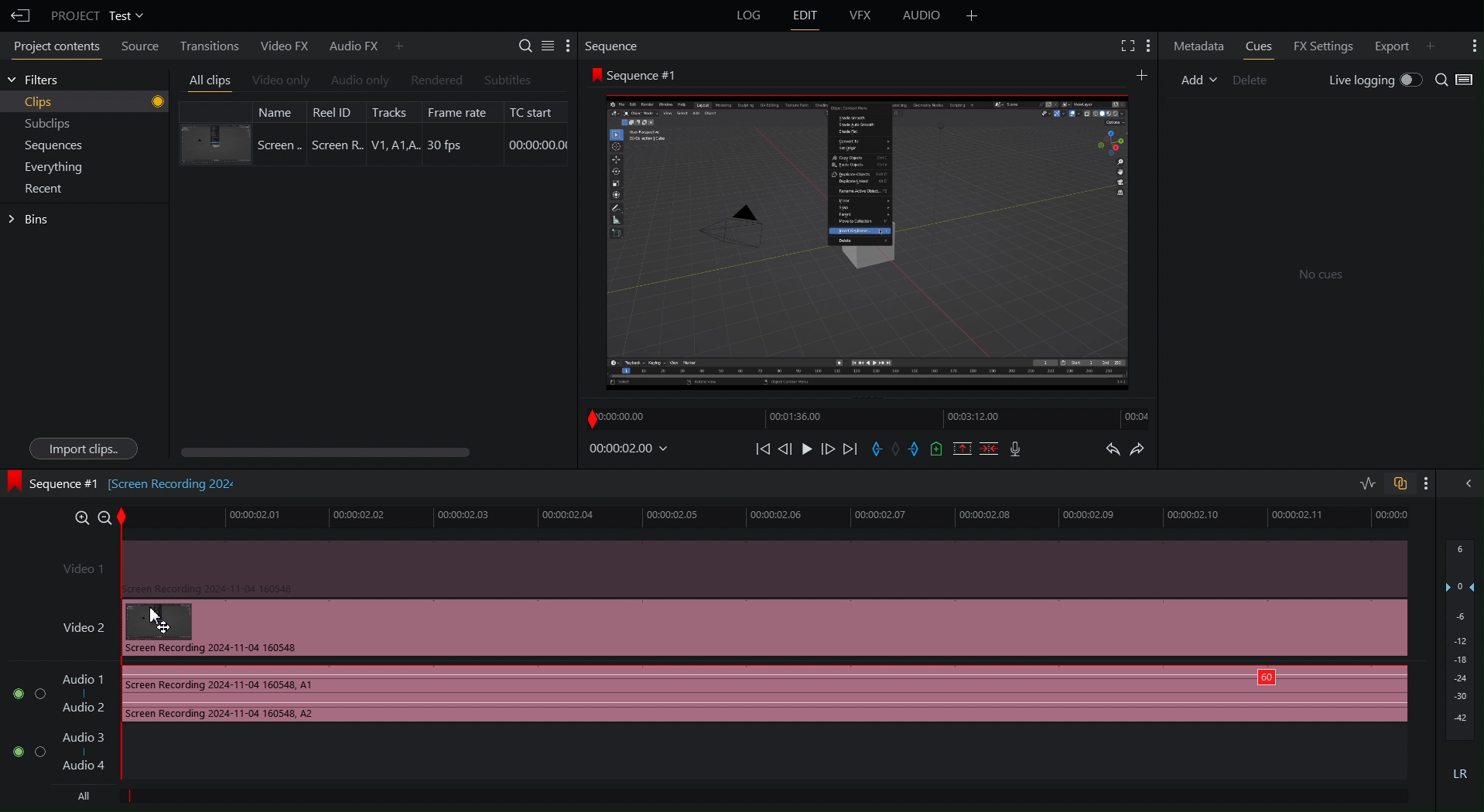  What do you see at coordinates (1139, 75) in the screenshot?
I see `More` at bounding box center [1139, 75].